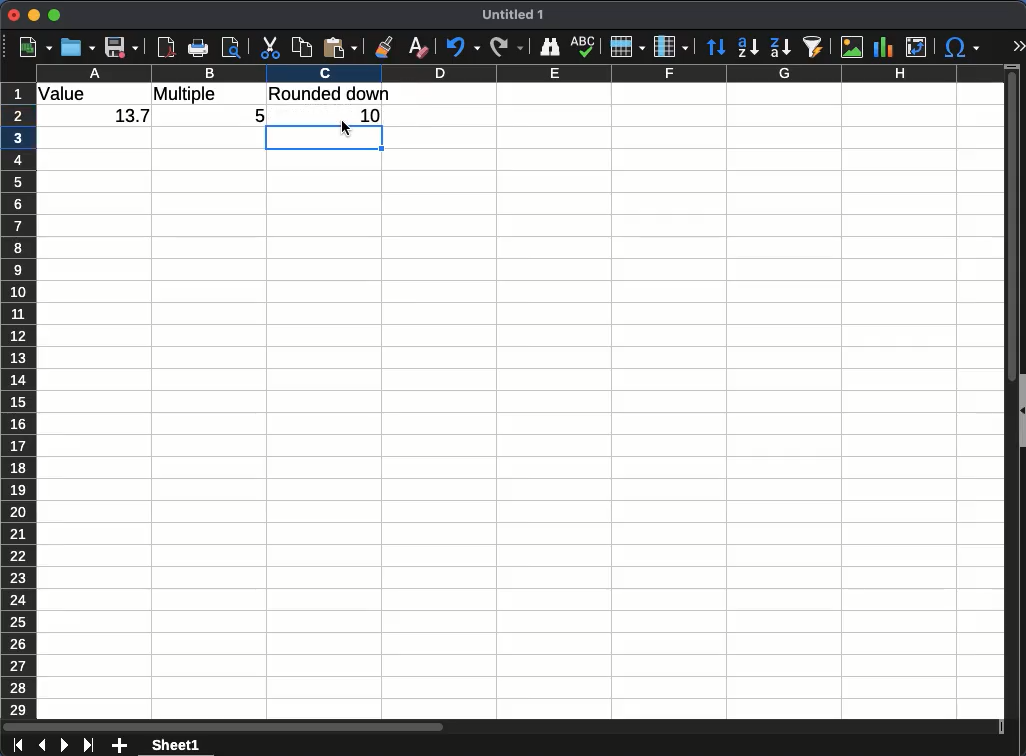  What do you see at coordinates (585, 46) in the screenshot?
I see `spell check` at bounding box center [585, 46].